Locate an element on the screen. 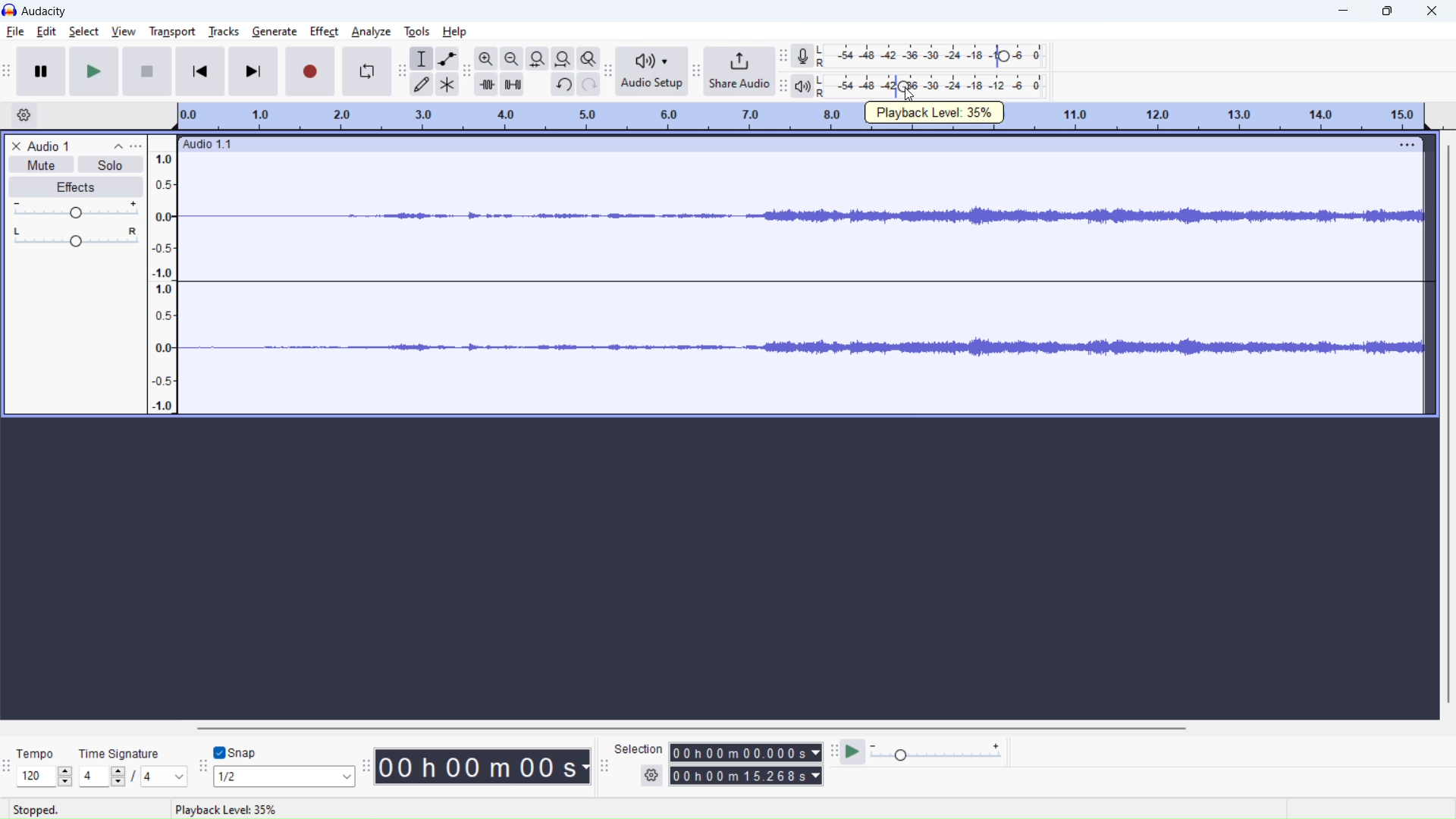 The width and height of the screenshot is (1456, 819). Tempo is located at coordinates (39, 752).